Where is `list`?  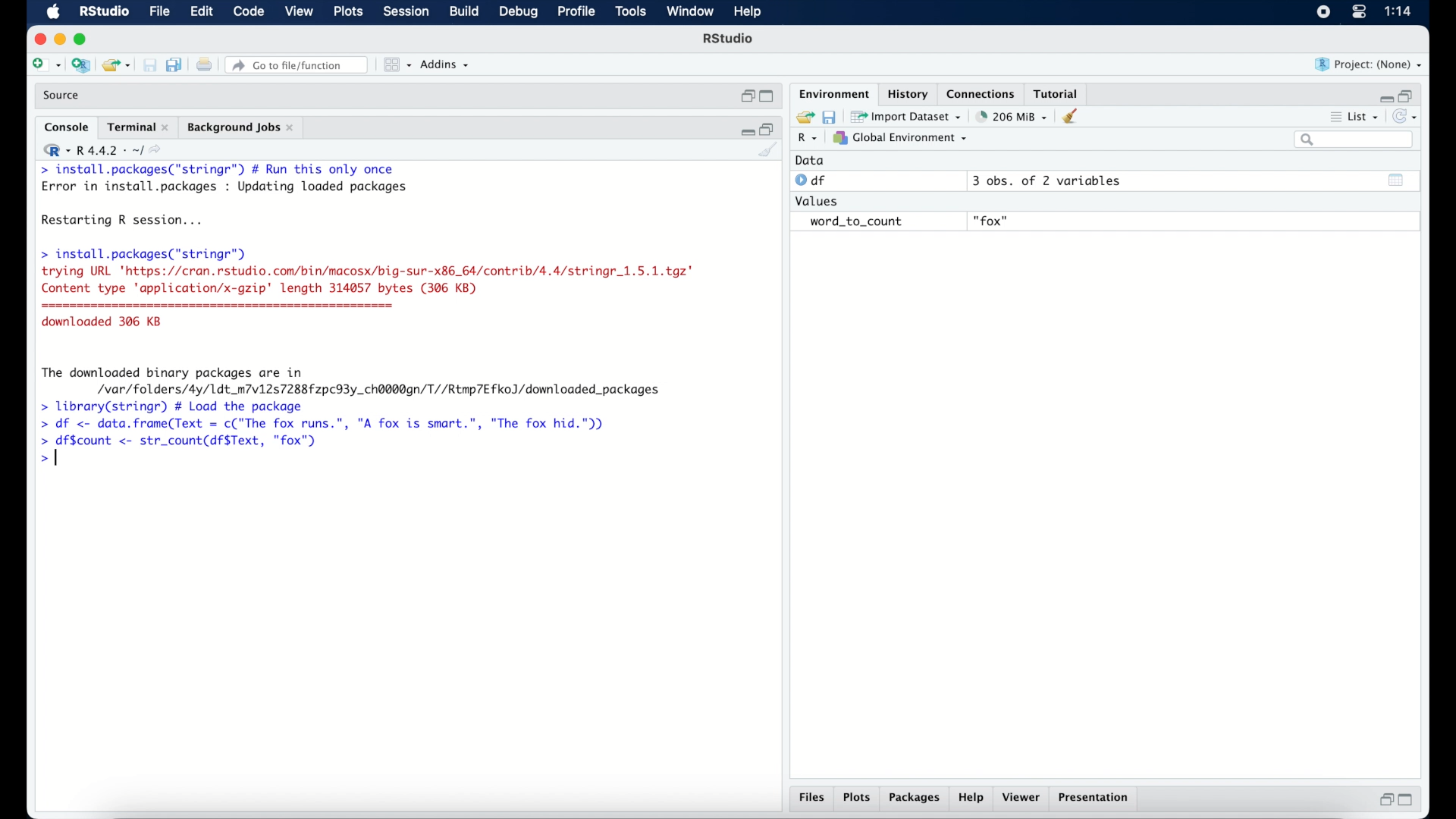 list is located at coordinates (1356, 118).